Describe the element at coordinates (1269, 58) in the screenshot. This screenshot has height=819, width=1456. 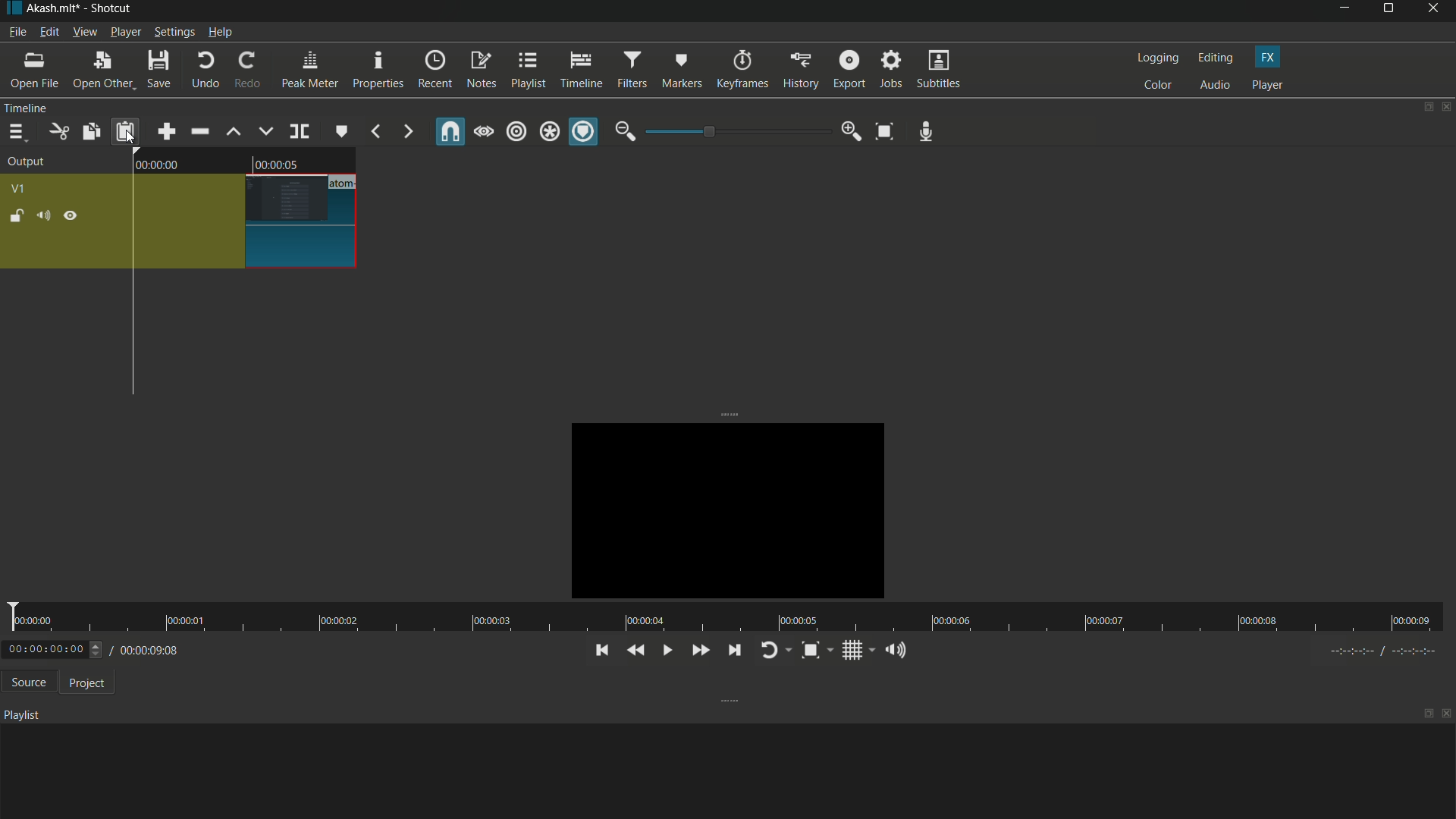
I see `fx` at that location.